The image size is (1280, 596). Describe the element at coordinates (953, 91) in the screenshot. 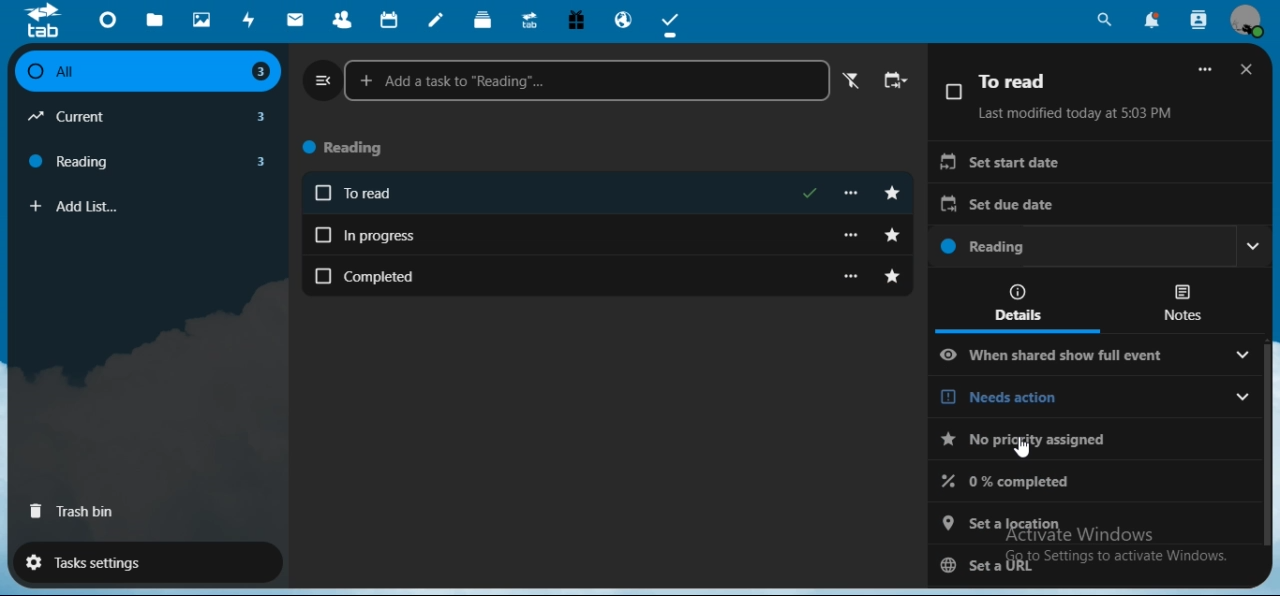

I see `Checkbox` at that location.